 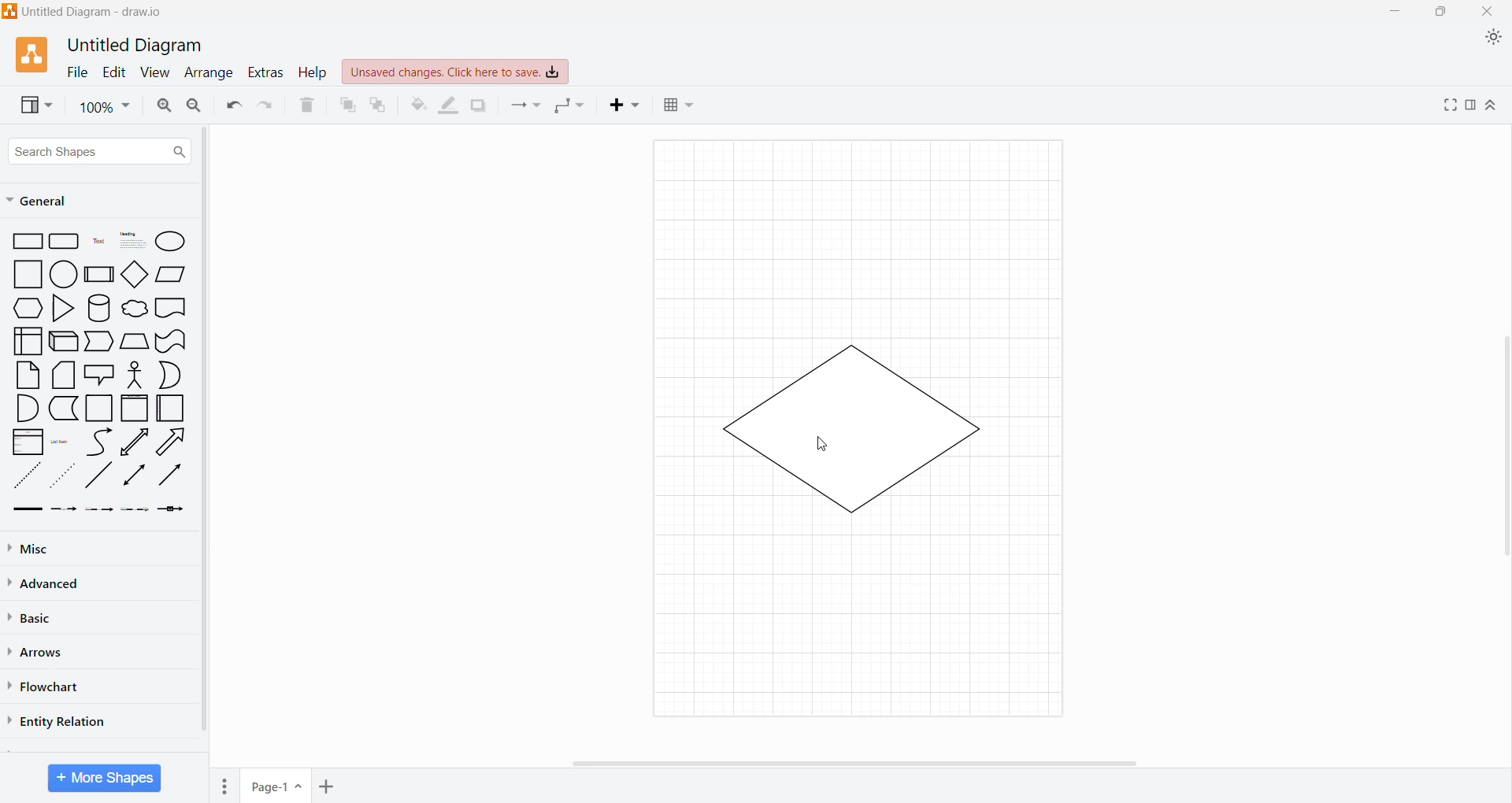 I want to click on Application Logo, so click(x=34, y=54).